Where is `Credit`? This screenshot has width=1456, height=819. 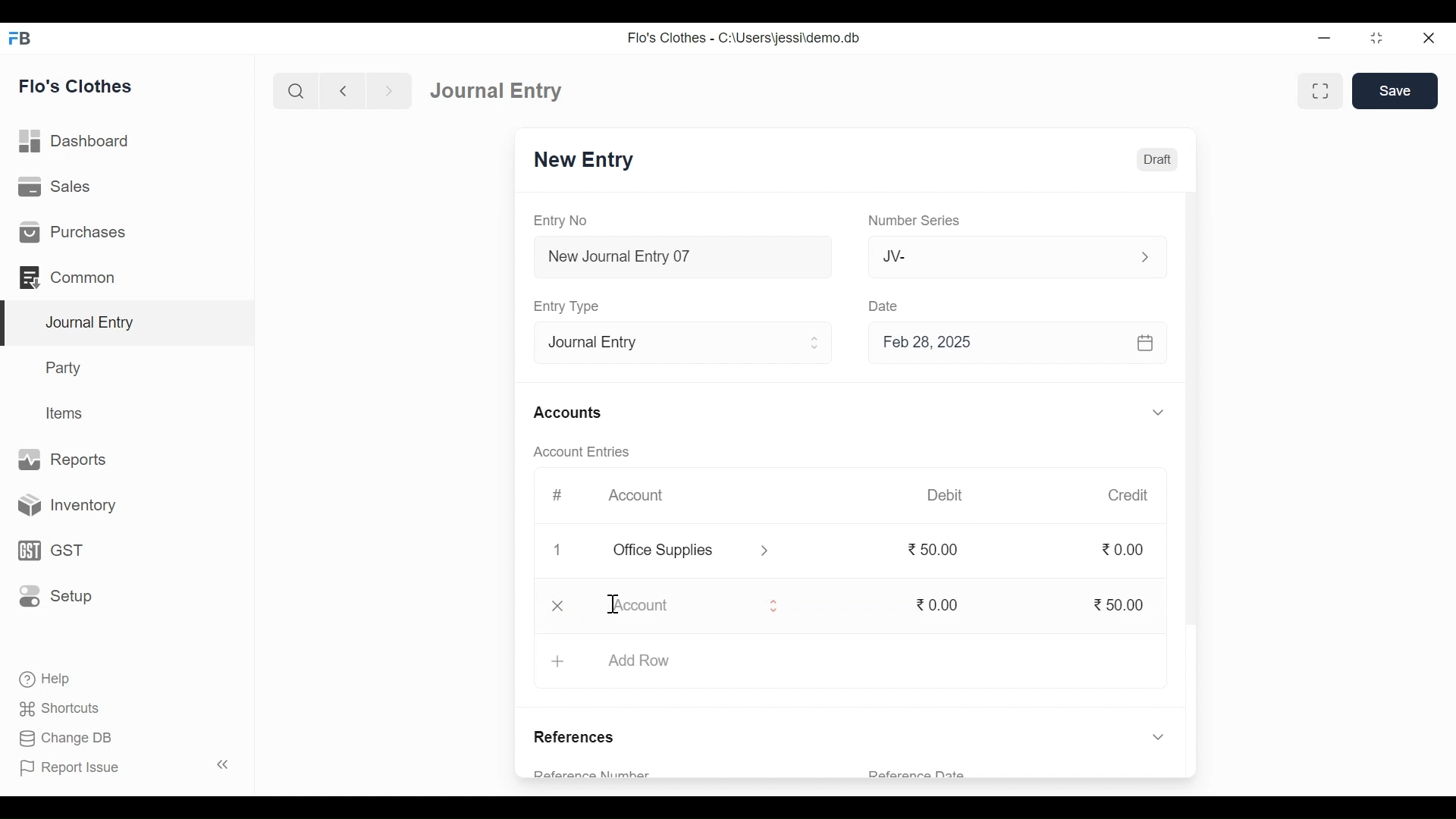
Credit is located at coordinates (1129, 496).